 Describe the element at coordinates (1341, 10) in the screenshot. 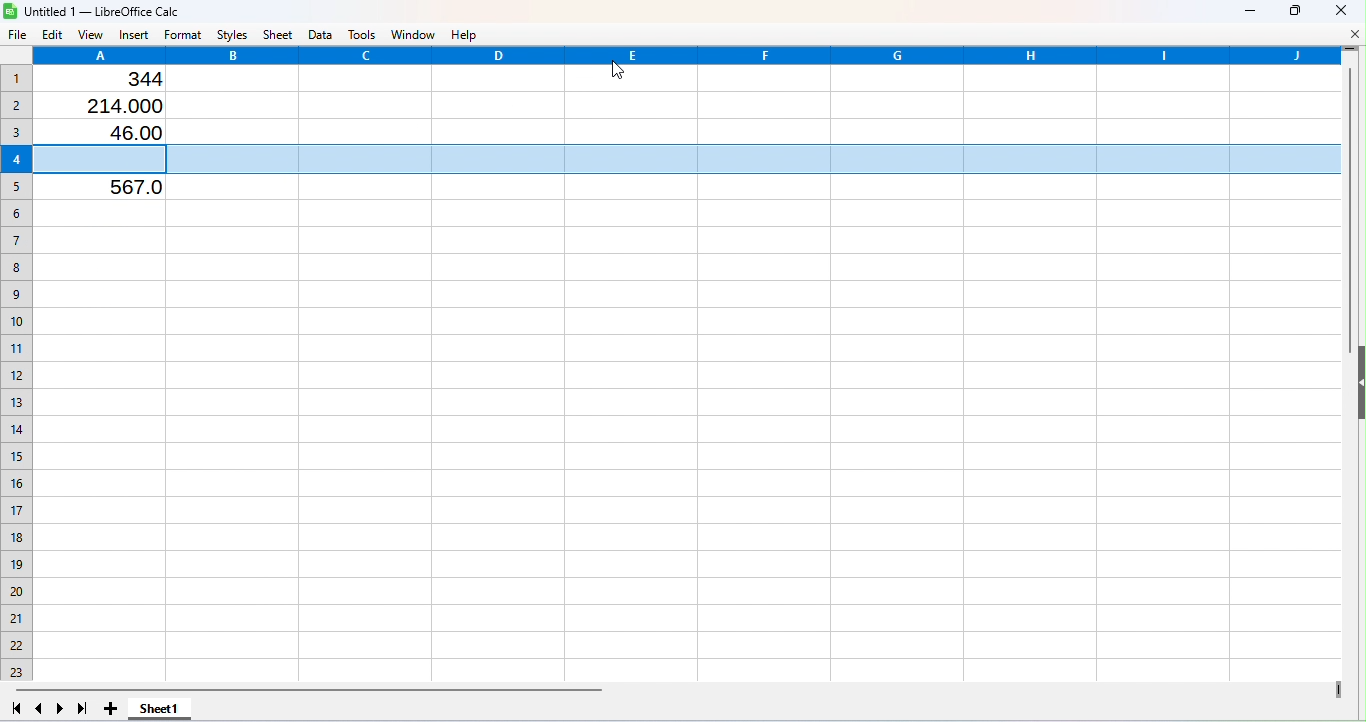

I see `Close` at that location.